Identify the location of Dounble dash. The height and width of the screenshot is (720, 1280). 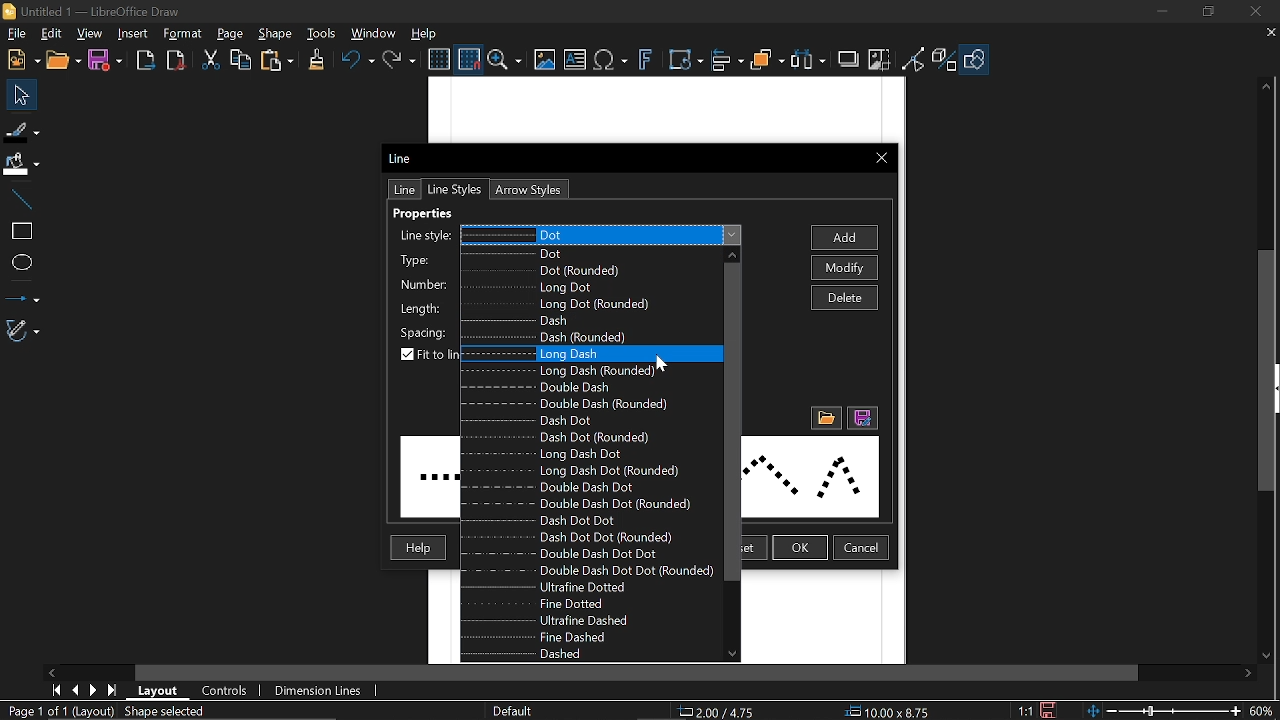
(585, 388).